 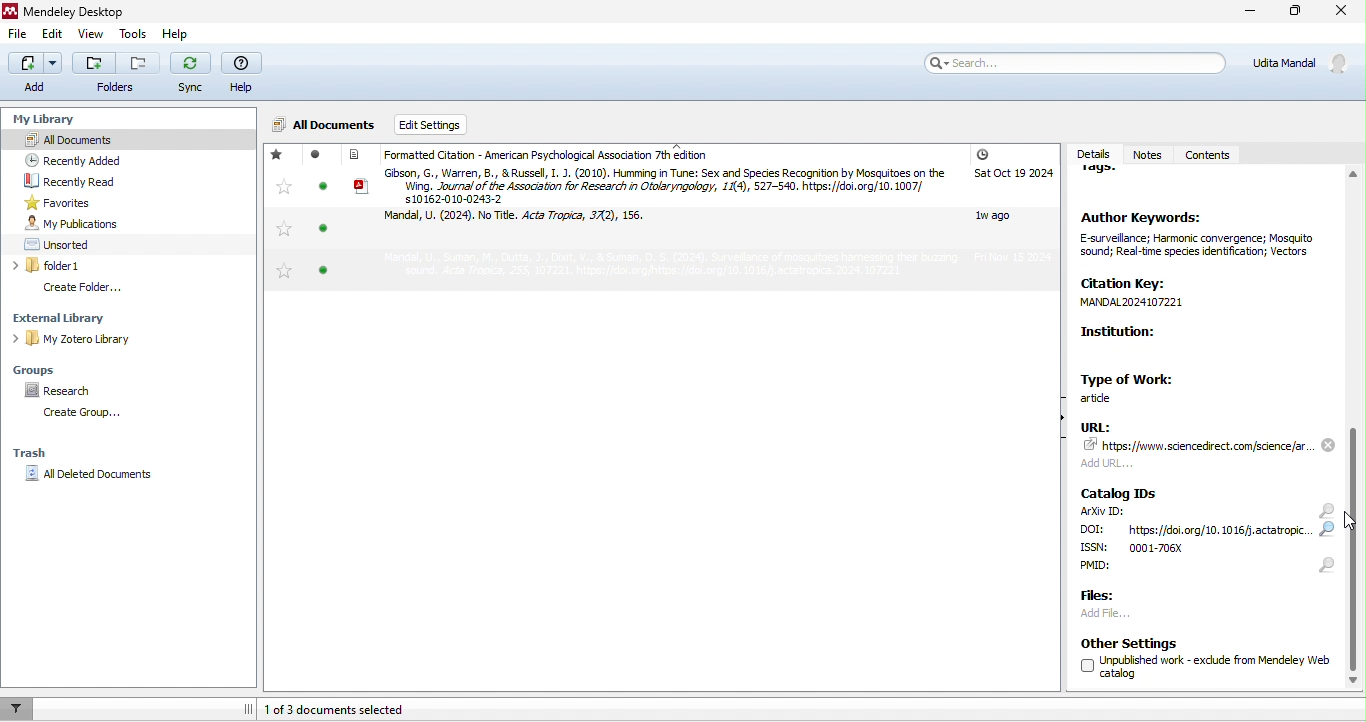 I want to click on 1 of 3 documents selected, so click(x=360, y=708).